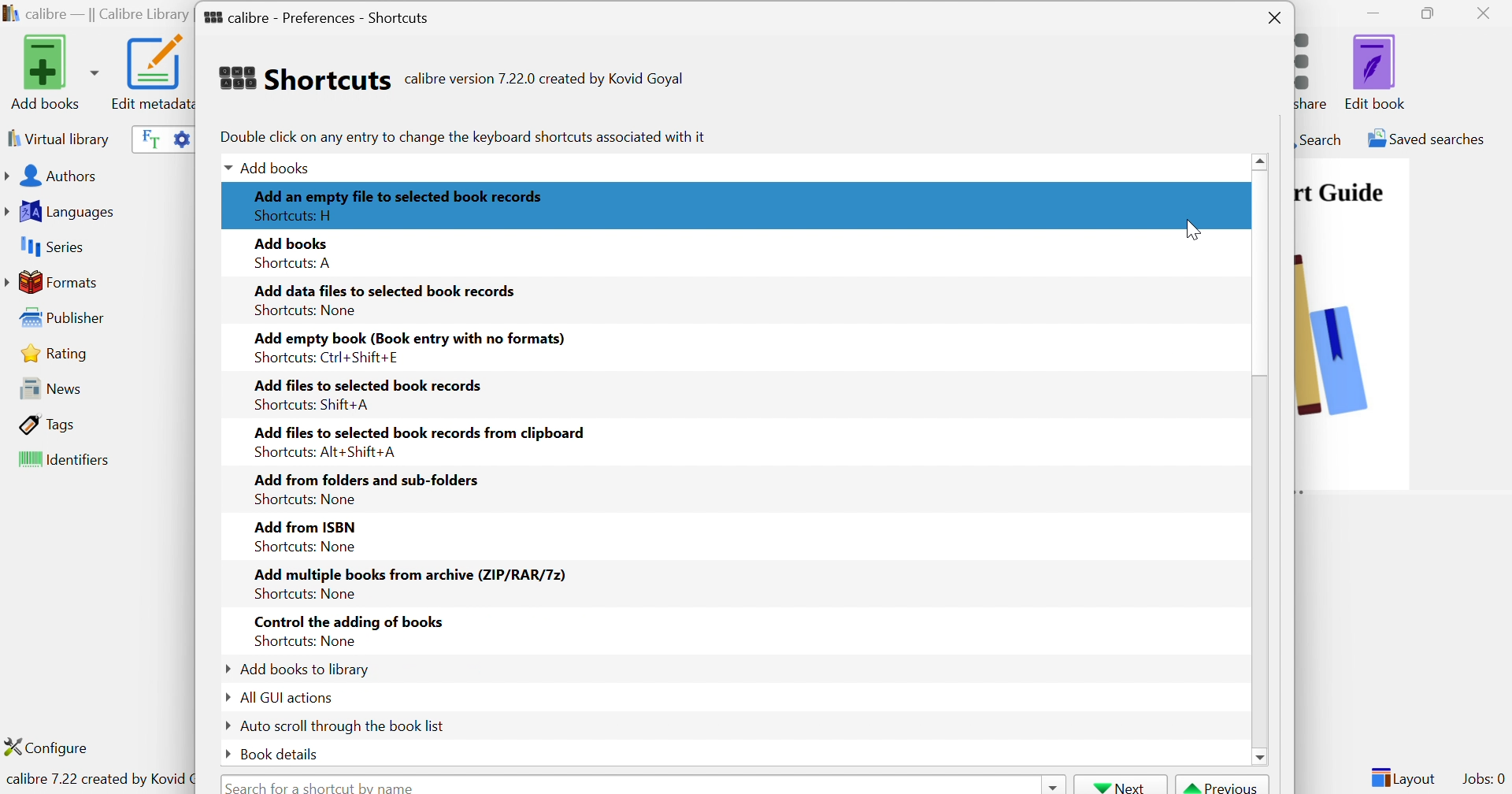  I want to click on Add from folders and sub-folders, so click(367, 480).